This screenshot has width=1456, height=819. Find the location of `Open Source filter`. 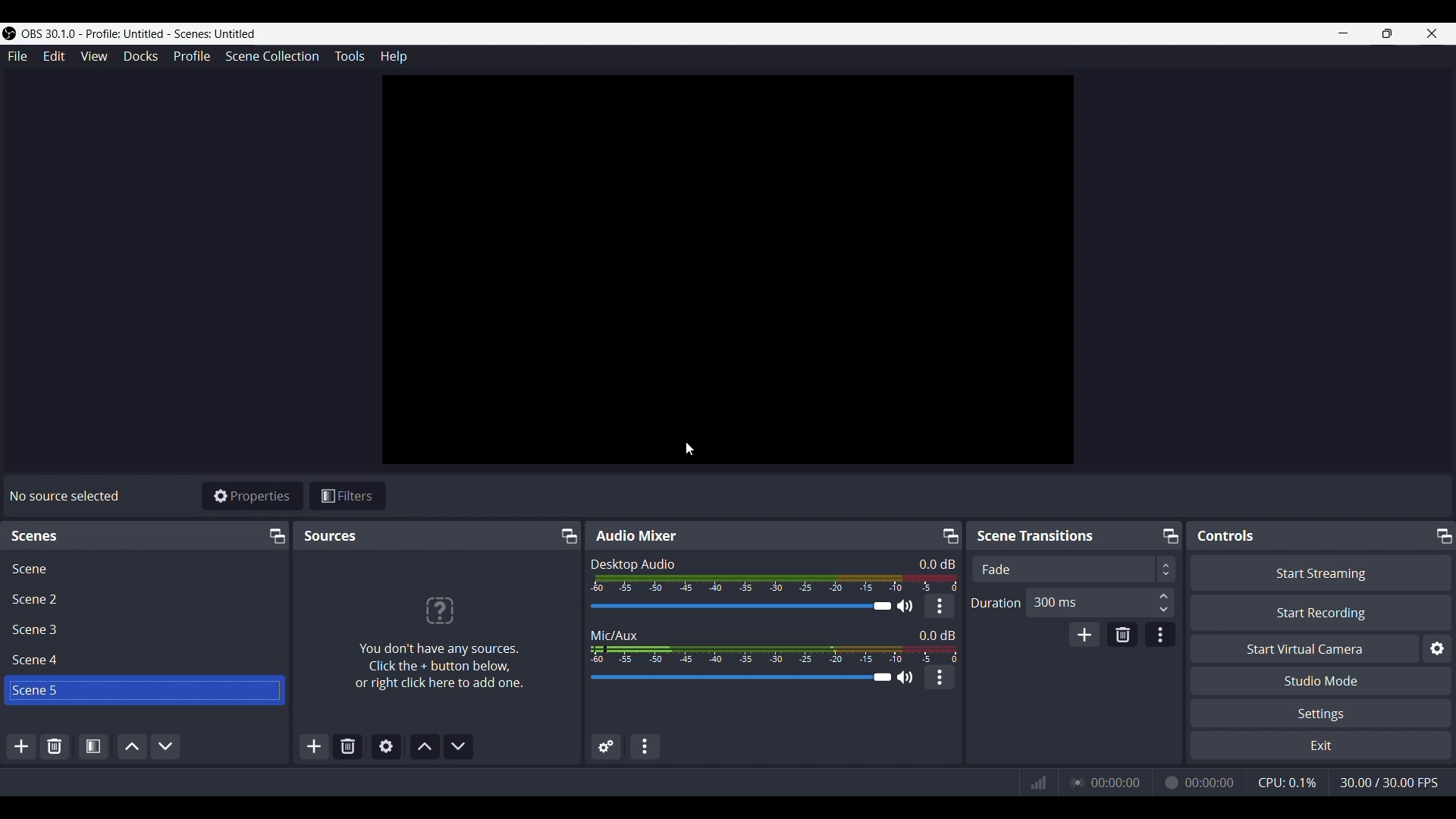

Open Source filter is located at coordinates (93, 745).